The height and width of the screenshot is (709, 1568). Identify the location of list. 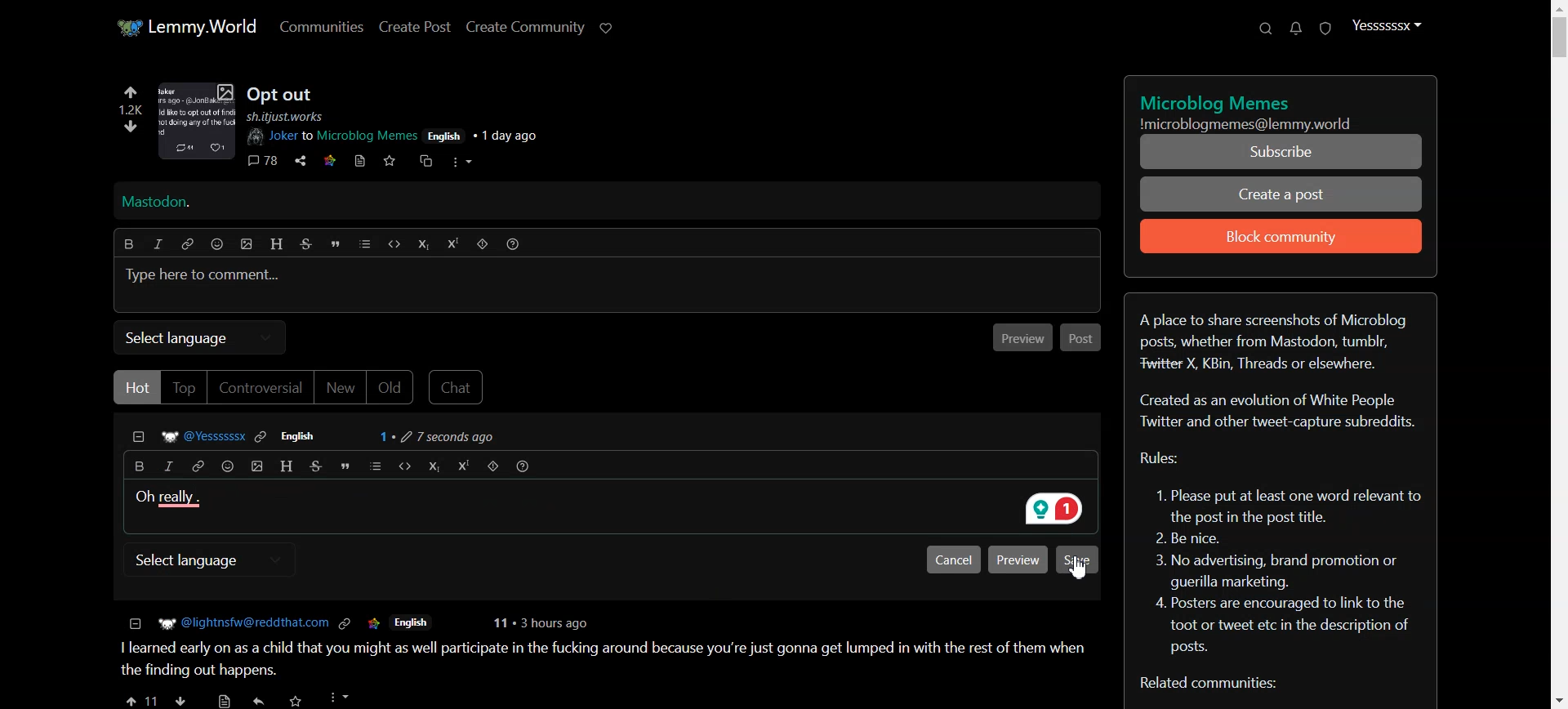
(372, 466).